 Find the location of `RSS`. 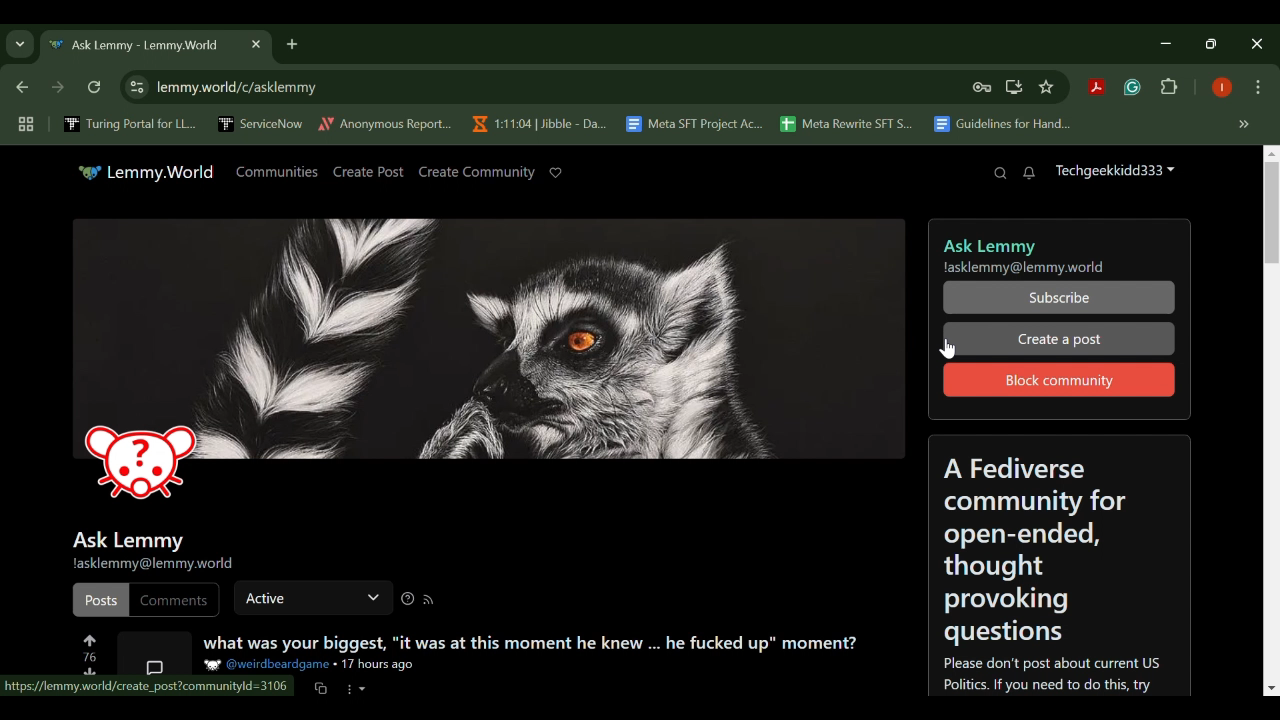

RSS is located at coordinates (427, 600).